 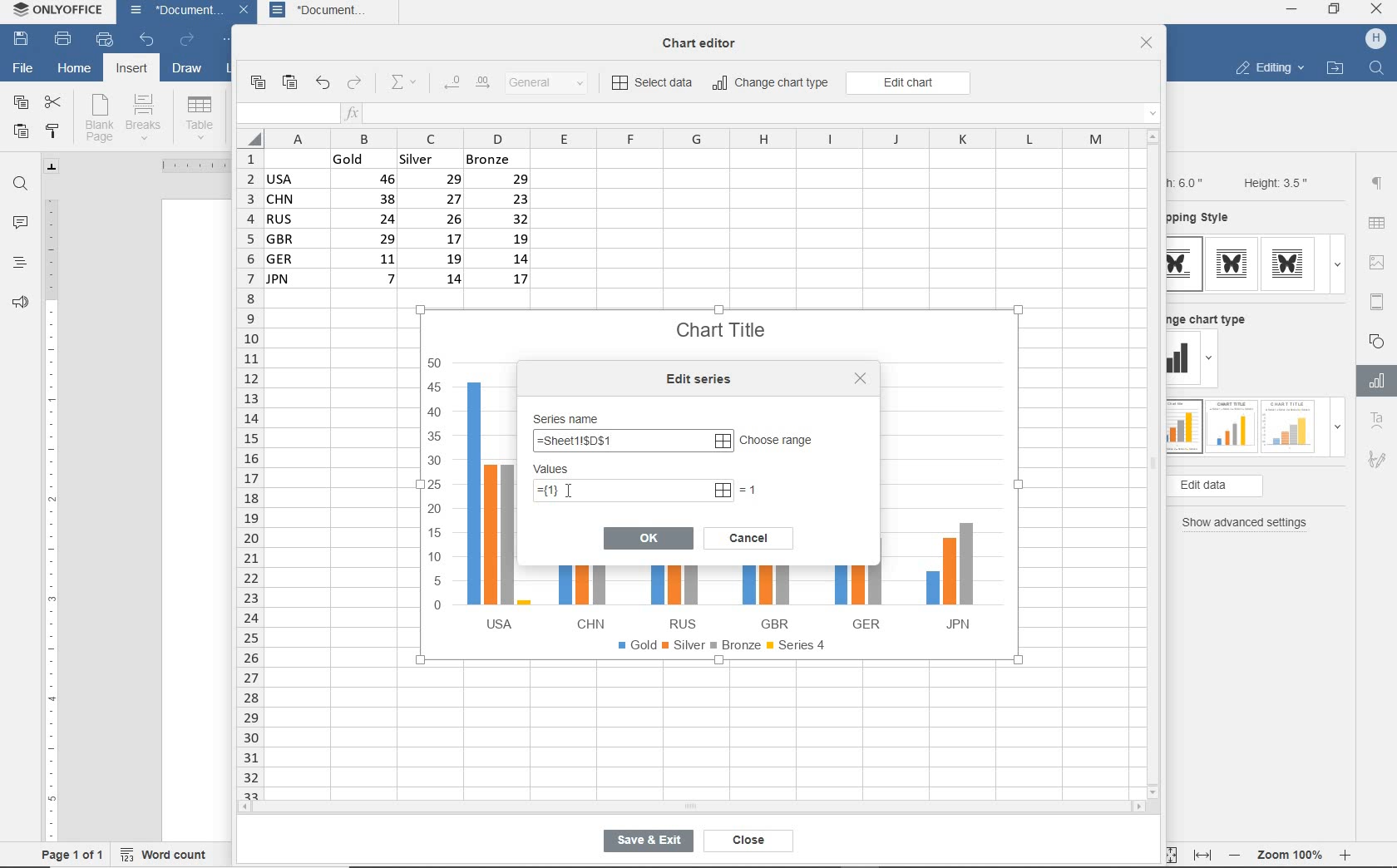 I want to click on redo, so click(x=186, y=41).